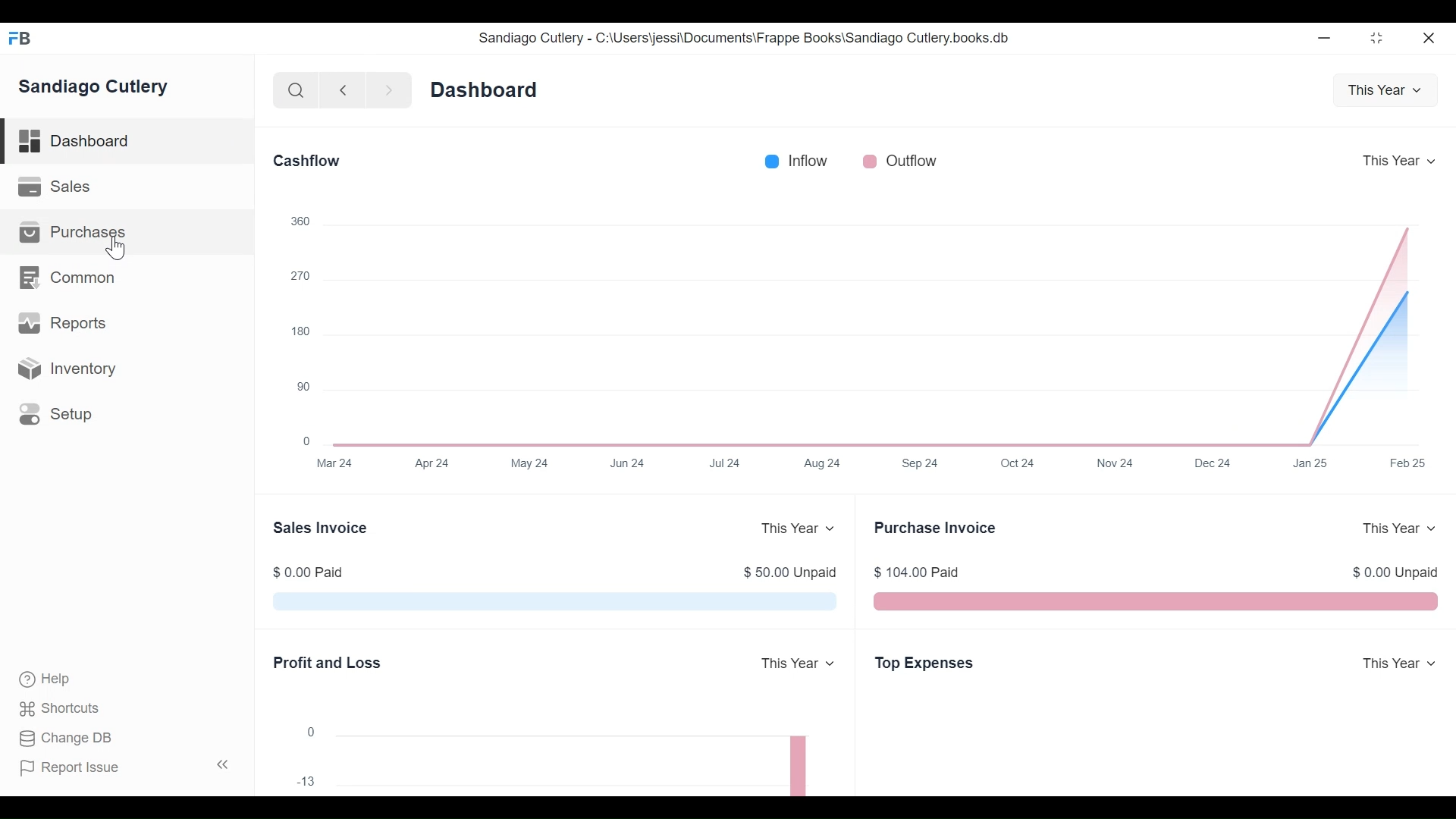 This screenshot has height=819, width=1456. Describe the element at coordinates (1307, 463) in the screenshot. I see `Jan 25` at that location.